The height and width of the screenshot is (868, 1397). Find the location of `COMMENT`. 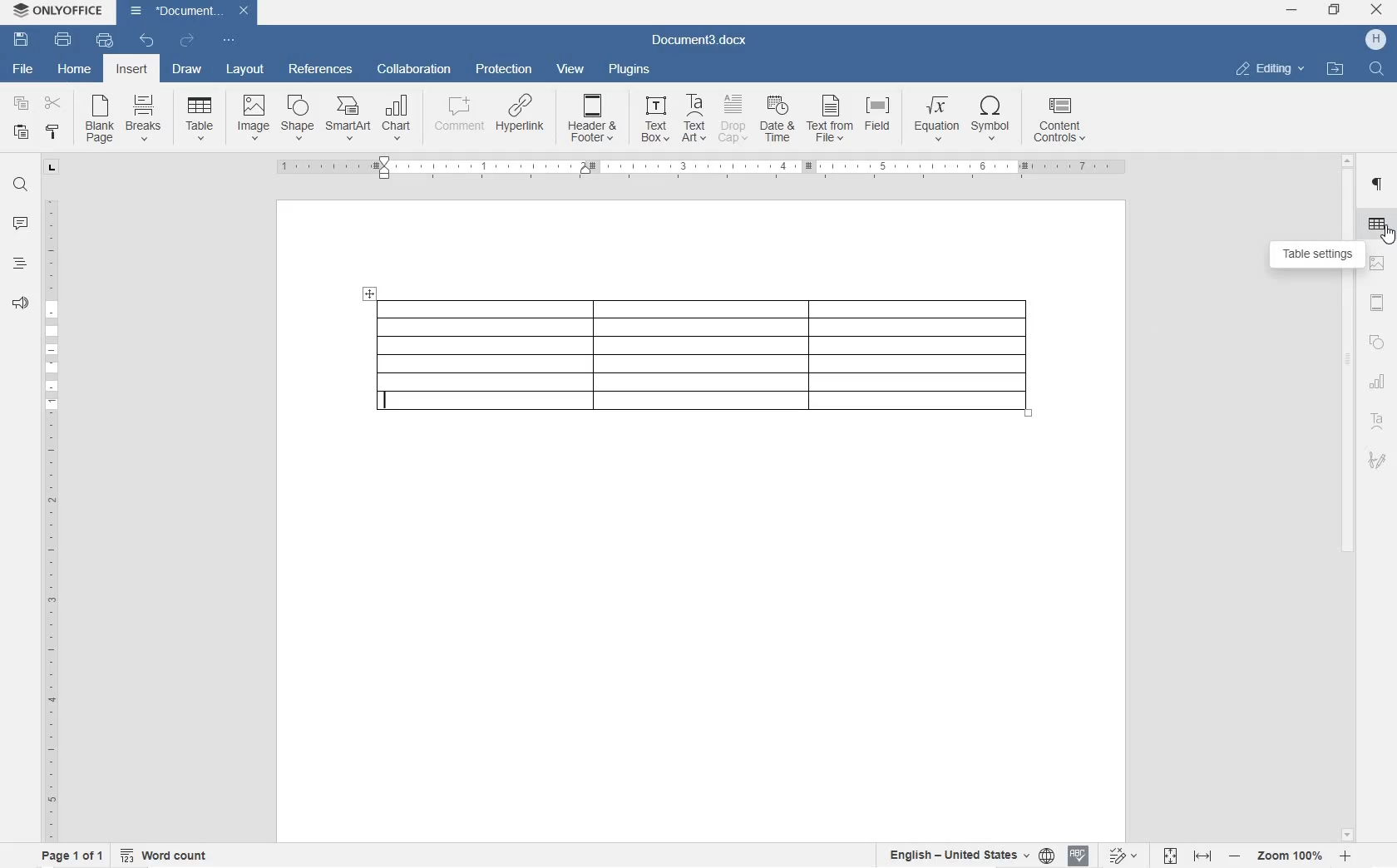

COMMENT is located at coordinates (461, 116).